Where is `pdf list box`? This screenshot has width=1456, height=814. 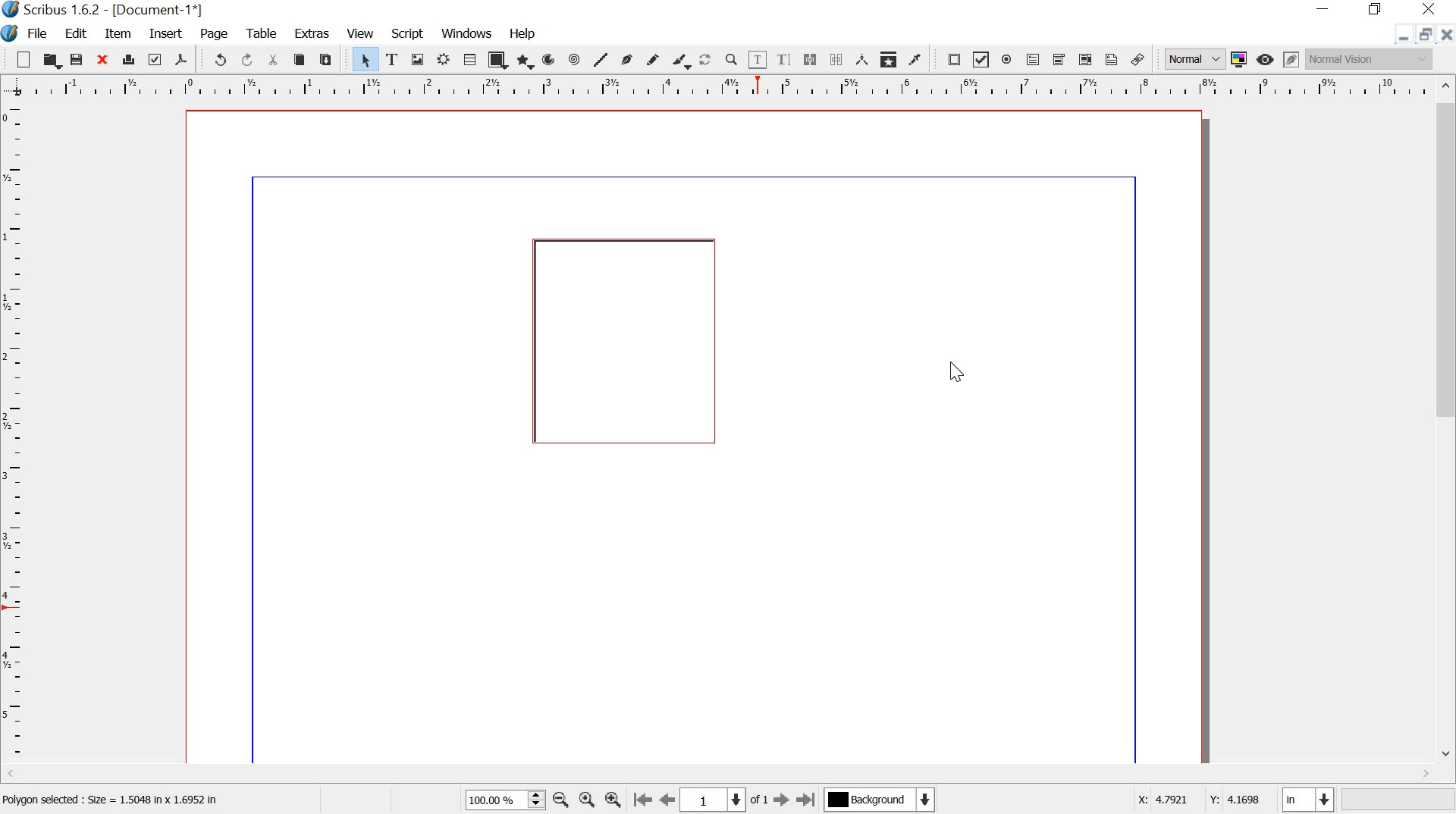 pdf list box is located at coordinates (1084, 60).